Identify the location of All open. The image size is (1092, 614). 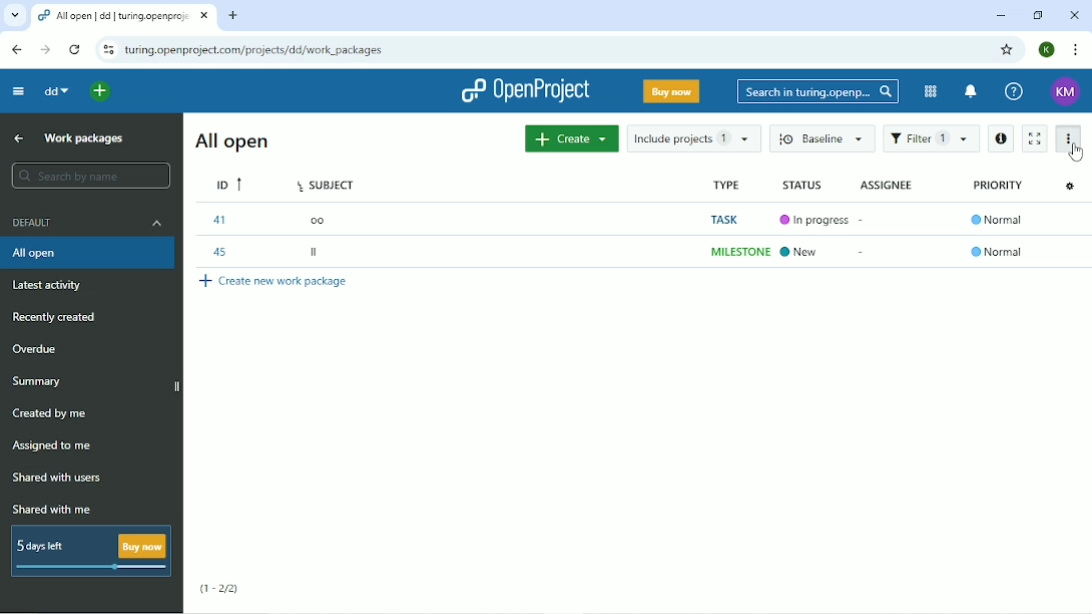
(233, 141).